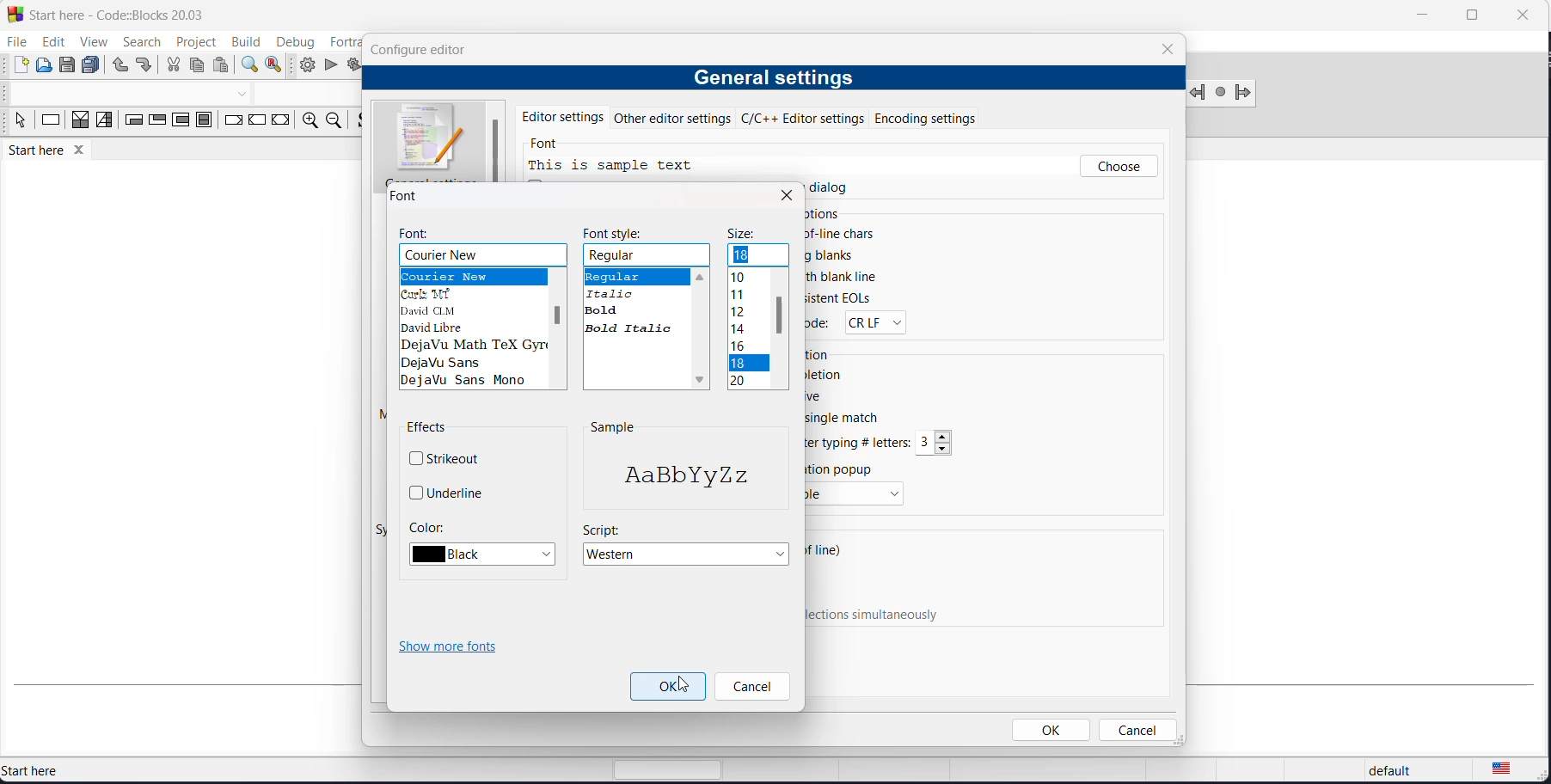  I want to click on jump forward, so click(1244, 95).